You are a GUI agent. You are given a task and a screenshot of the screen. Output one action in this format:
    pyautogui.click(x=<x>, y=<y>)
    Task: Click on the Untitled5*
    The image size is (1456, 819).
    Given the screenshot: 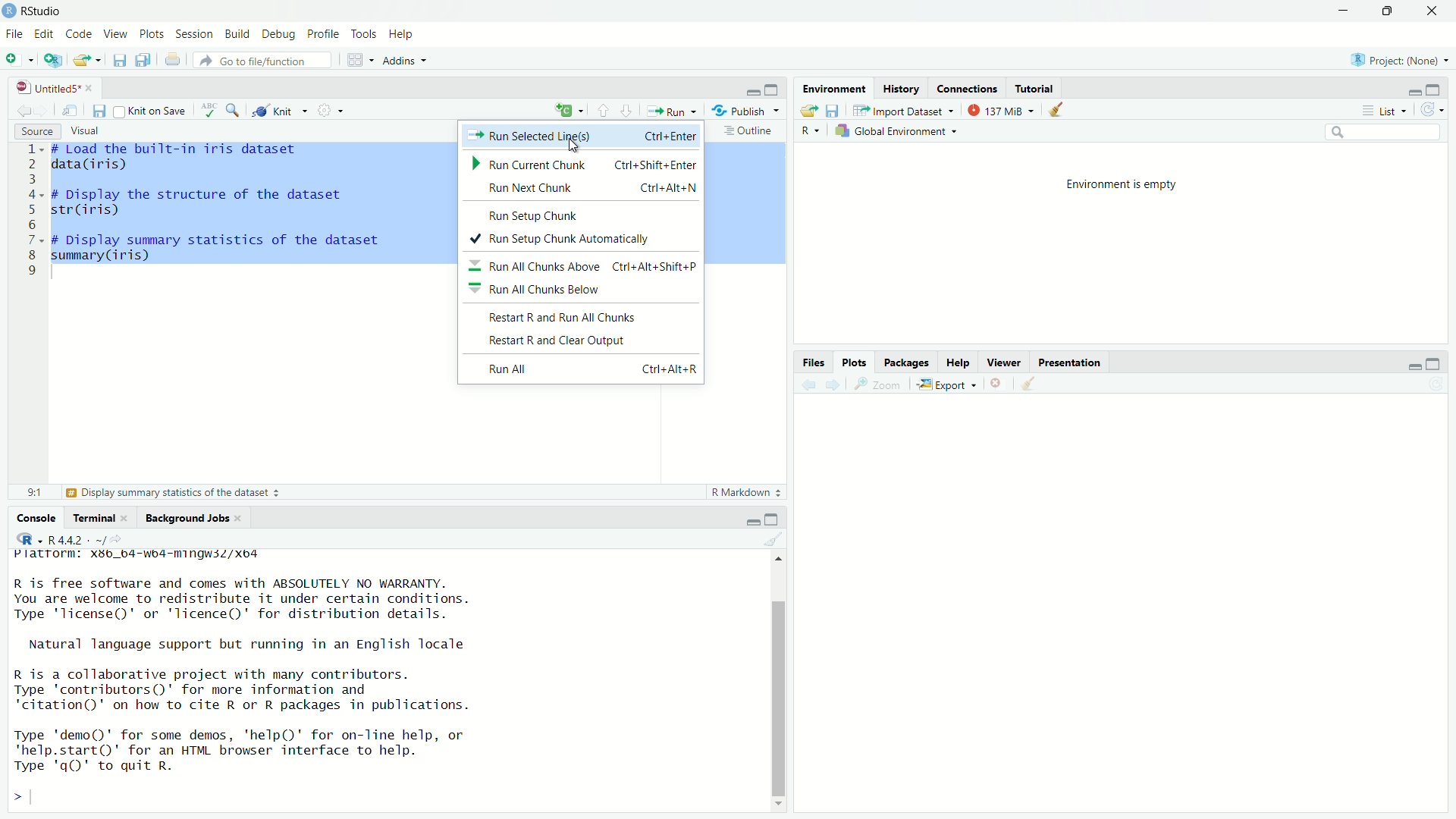 What is the action you would take?
    pyautogui.click(x=53, y=87)
    